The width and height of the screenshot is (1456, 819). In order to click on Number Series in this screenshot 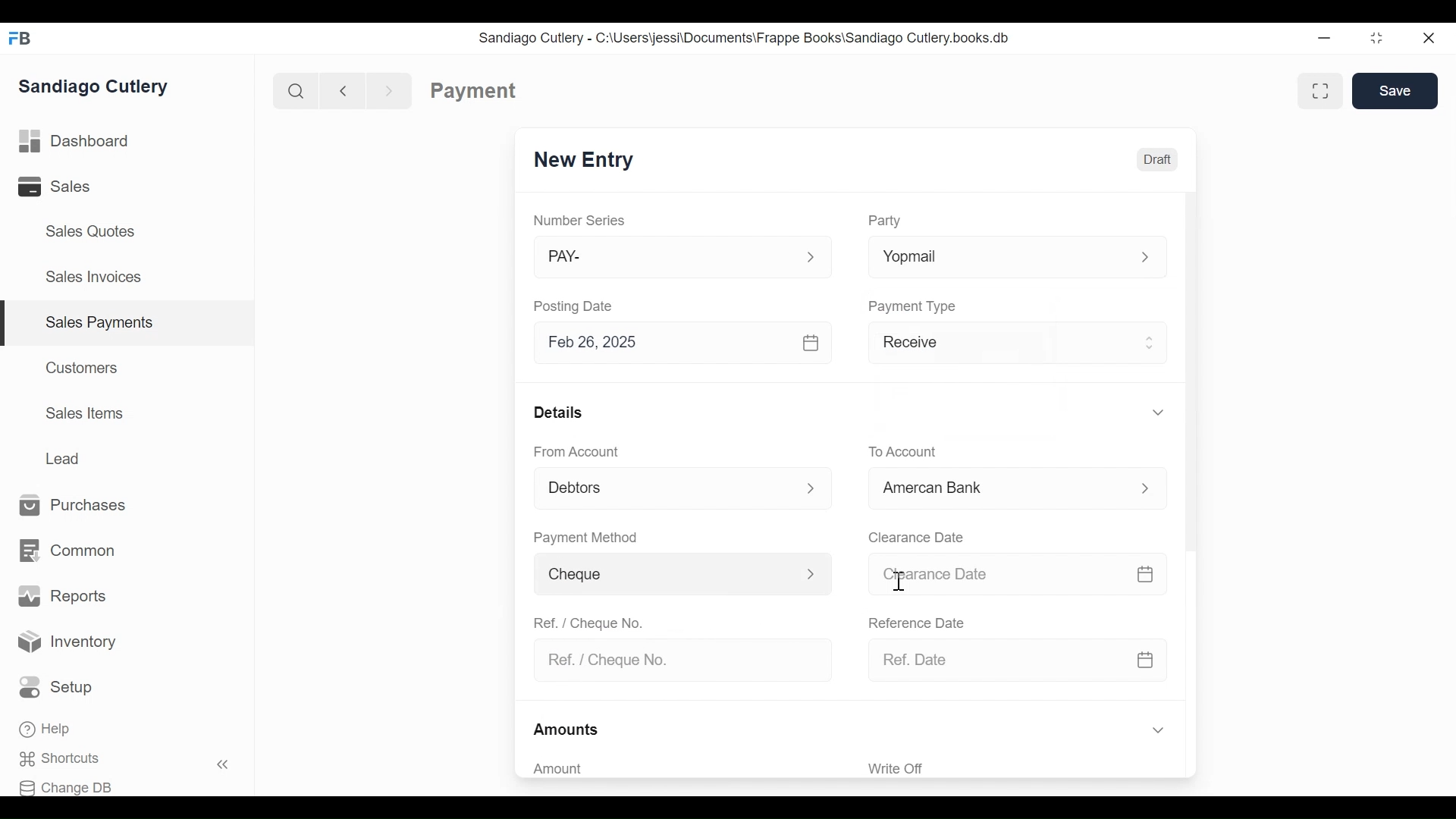, I will do `click(581, 221)`.